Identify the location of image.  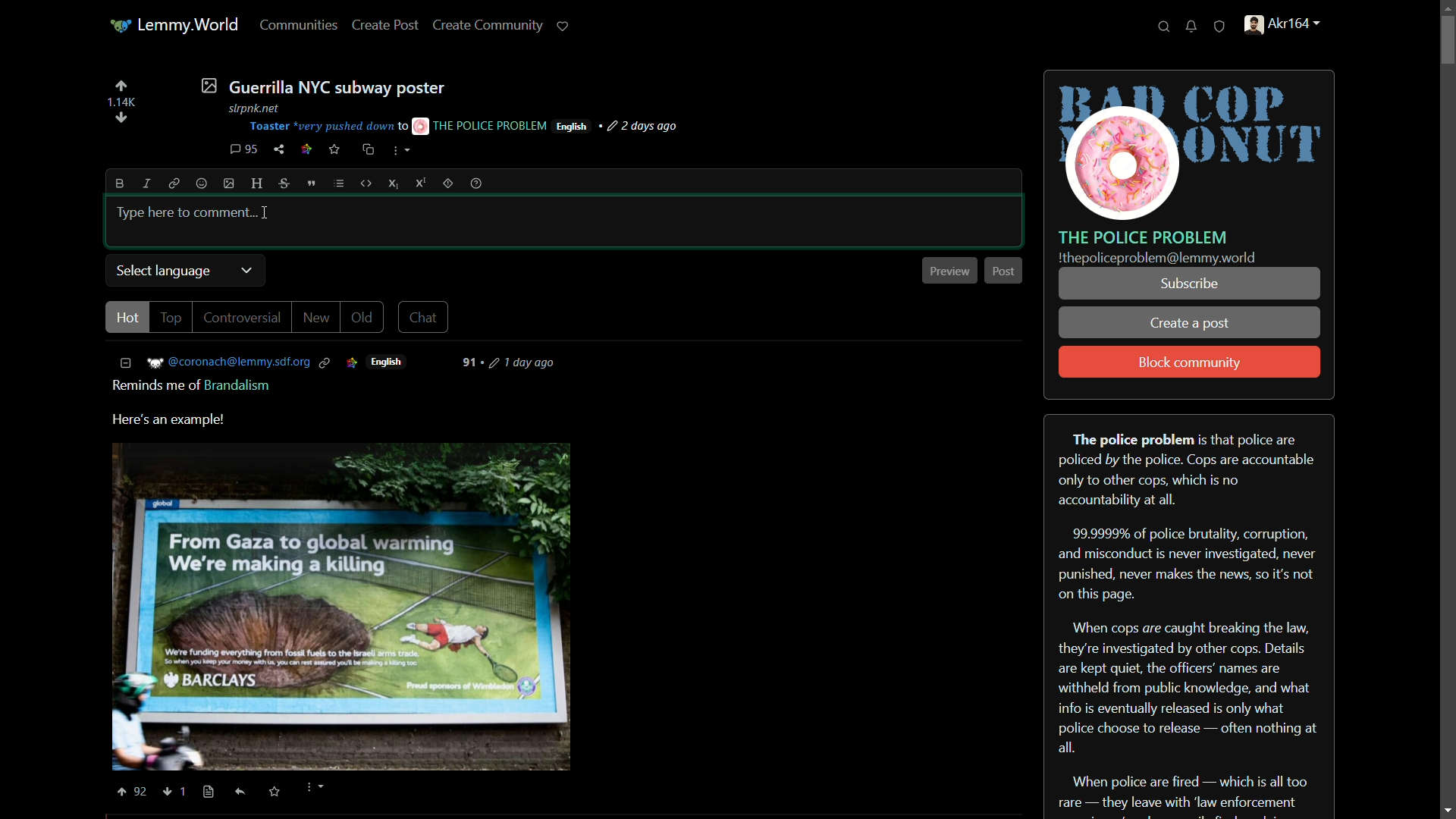
(343, 607).